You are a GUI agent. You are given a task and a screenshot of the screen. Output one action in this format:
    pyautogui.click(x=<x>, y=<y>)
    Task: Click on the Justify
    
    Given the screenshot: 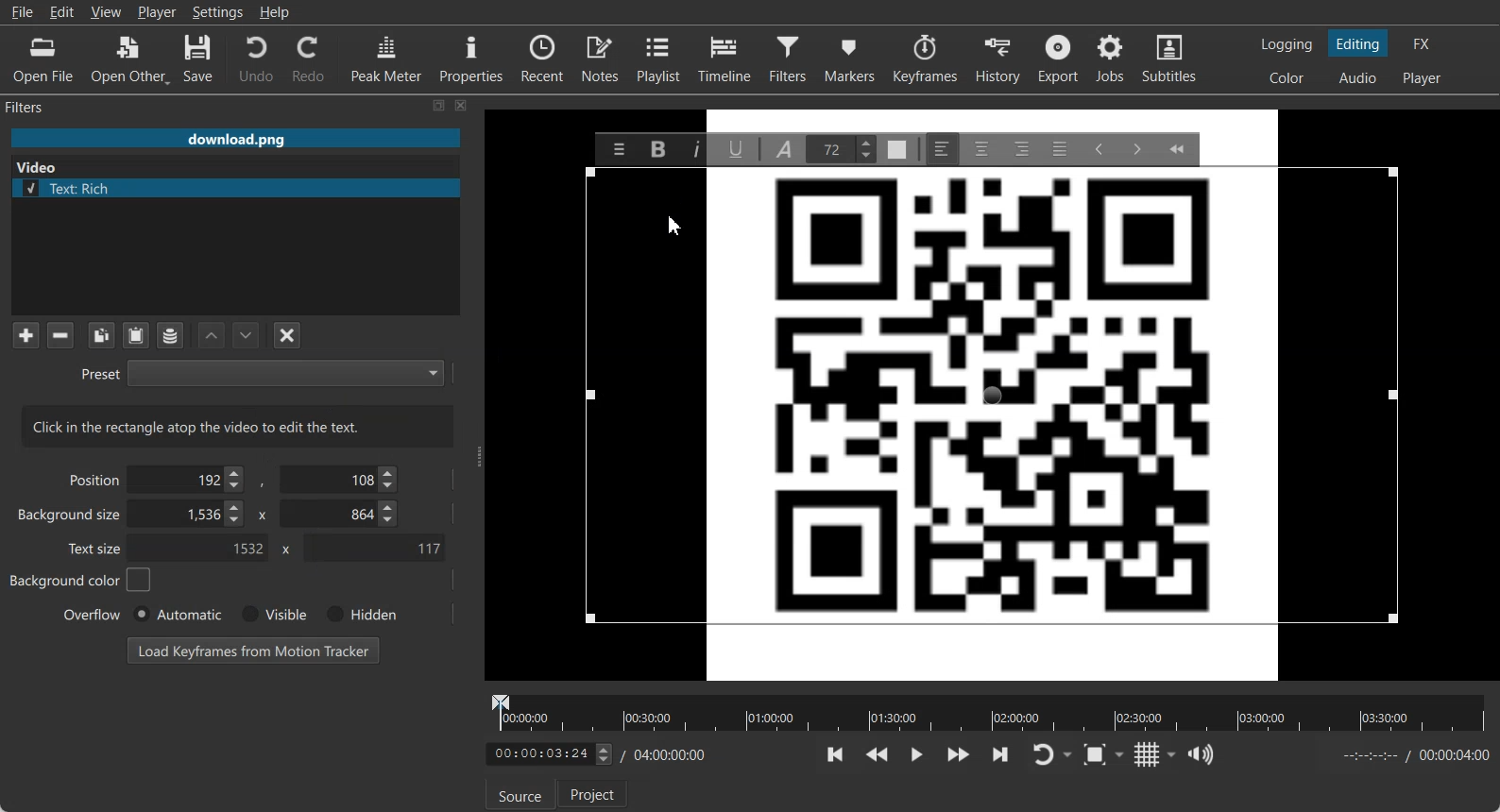 What is the action you would take?
    pyautogui.click(x=1061, y=149)
    